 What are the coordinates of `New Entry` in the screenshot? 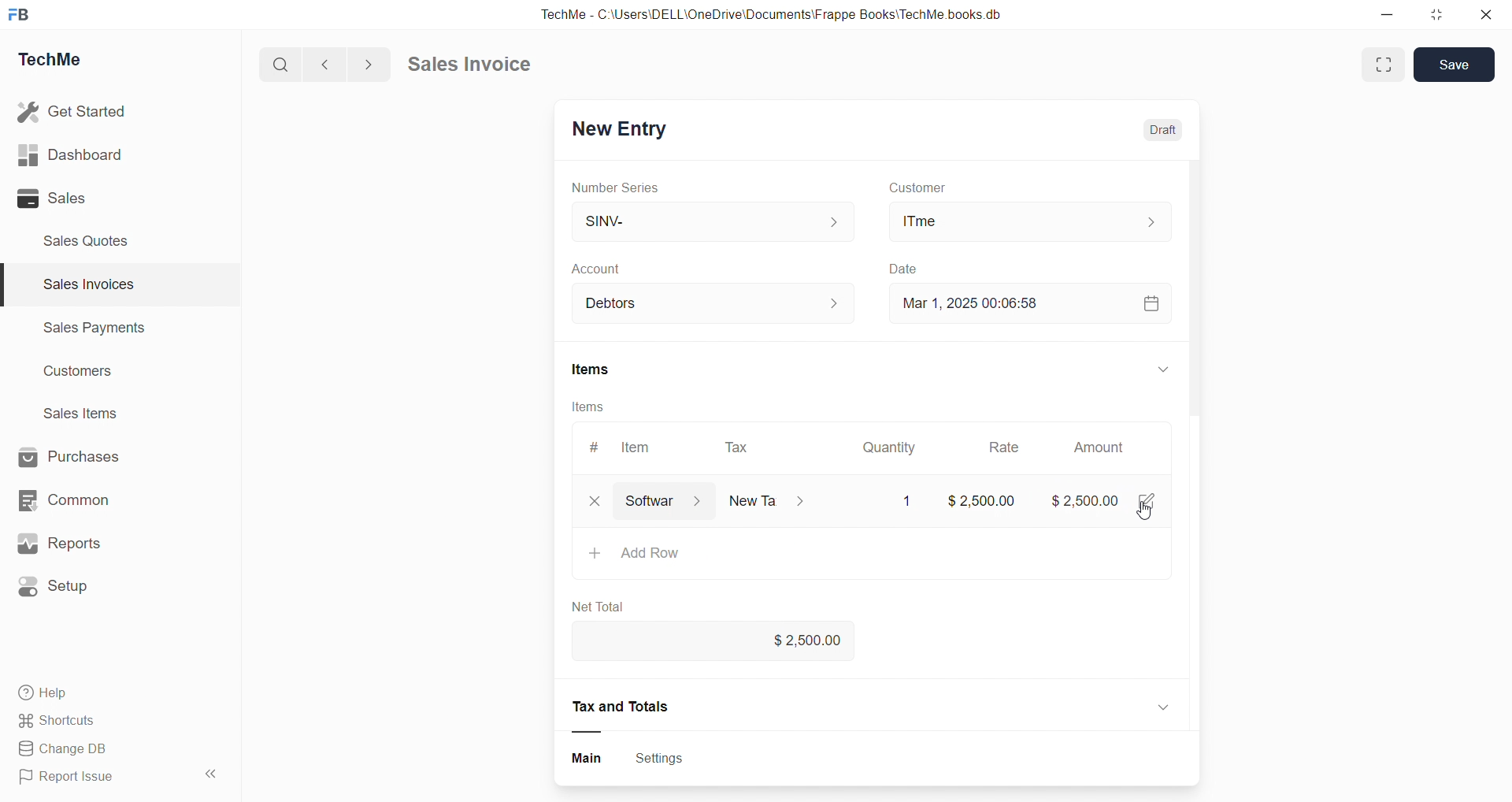 It's located at (625, 126).